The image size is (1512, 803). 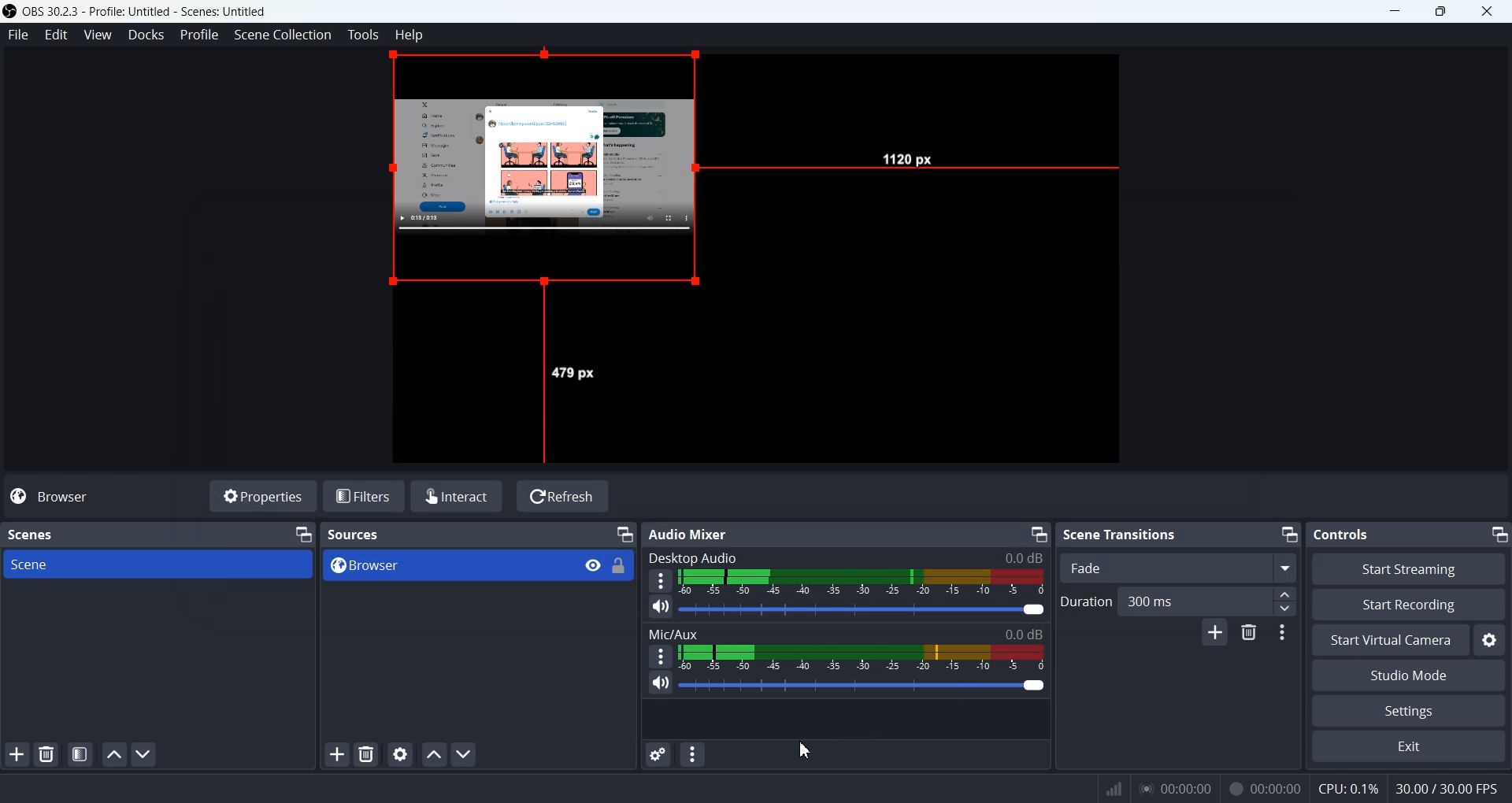 What do you see at coordinates (409, 34) in the screenshot?
I see `Help` at bounding box center [409, 34].